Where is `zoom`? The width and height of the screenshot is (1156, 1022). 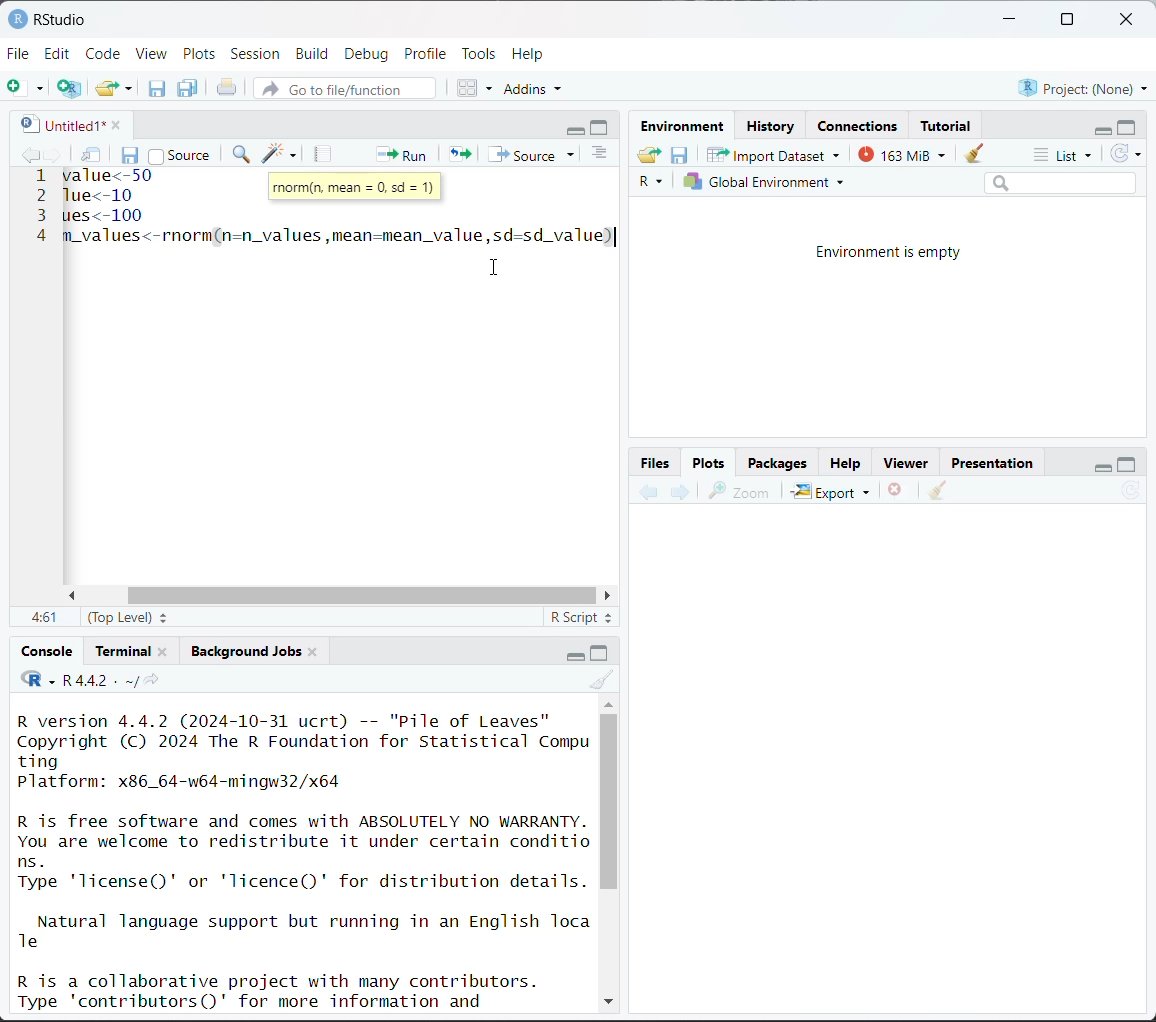
zoom is located at coordinates (739, 491).